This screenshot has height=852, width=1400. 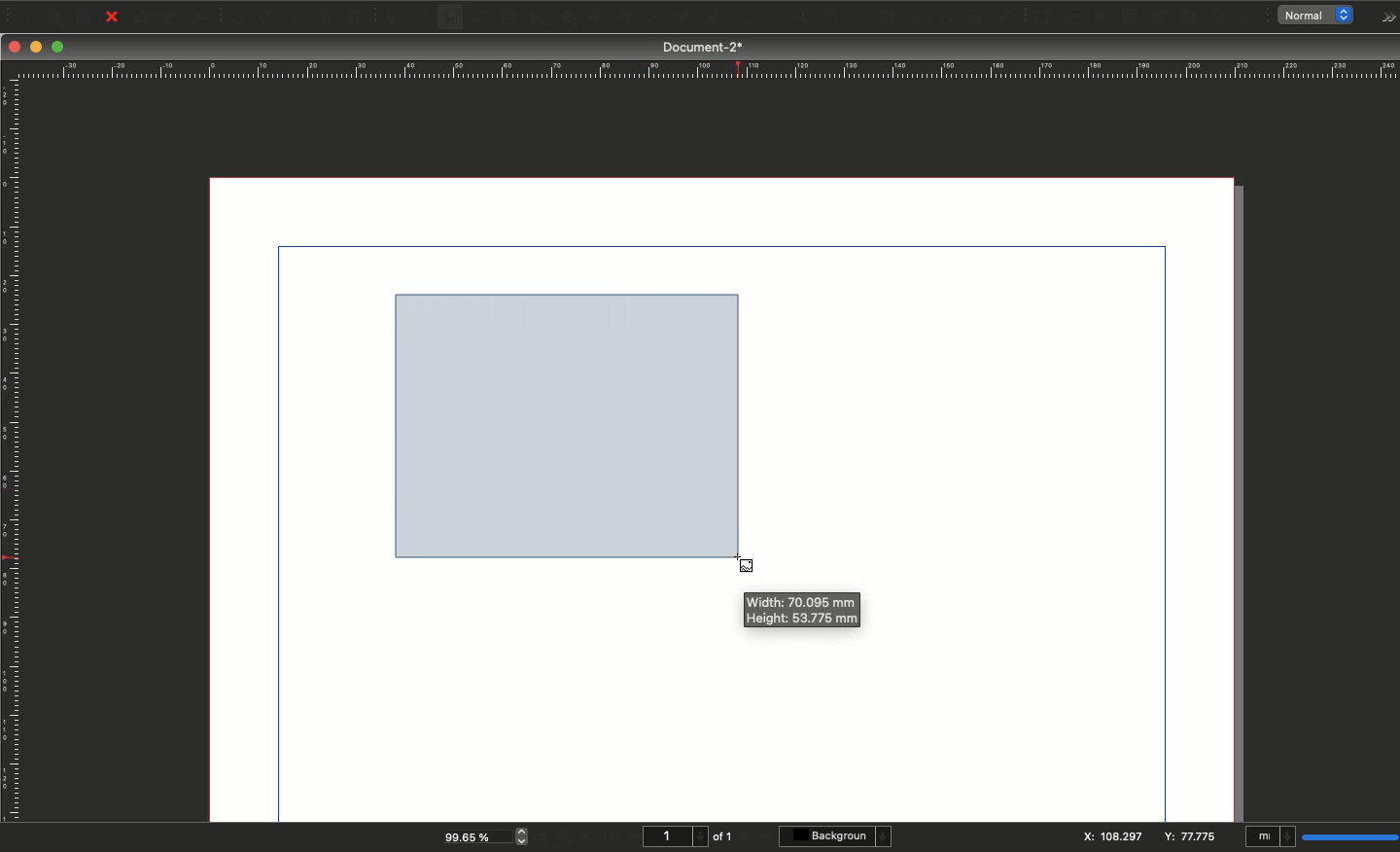 What do you see at coordinates (972, 18) in the screenshot?
I see `Copy item properties` at bounding box center [972, 18].